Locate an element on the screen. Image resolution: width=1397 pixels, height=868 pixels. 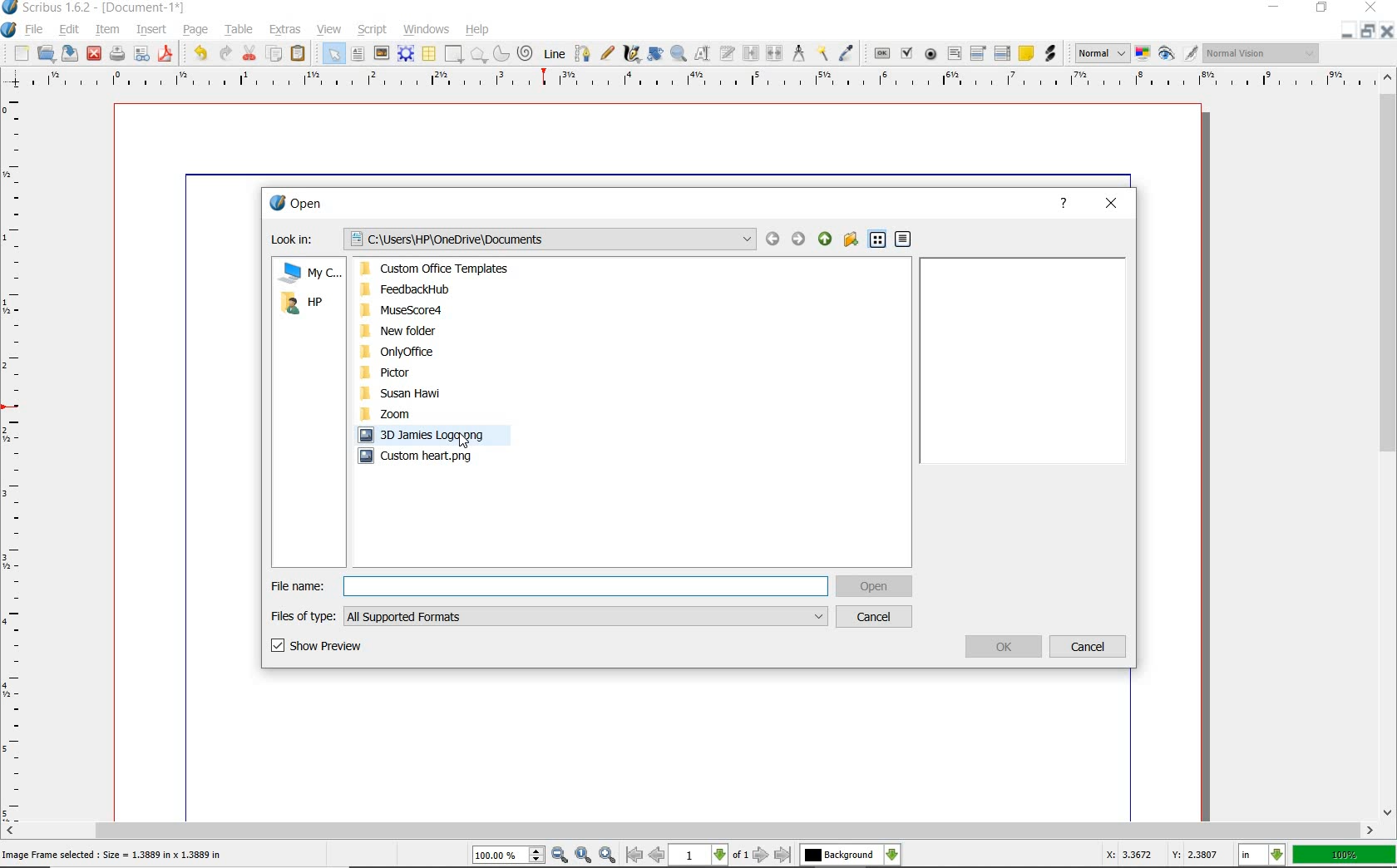
Next Page is located at coordinates (762, 856).